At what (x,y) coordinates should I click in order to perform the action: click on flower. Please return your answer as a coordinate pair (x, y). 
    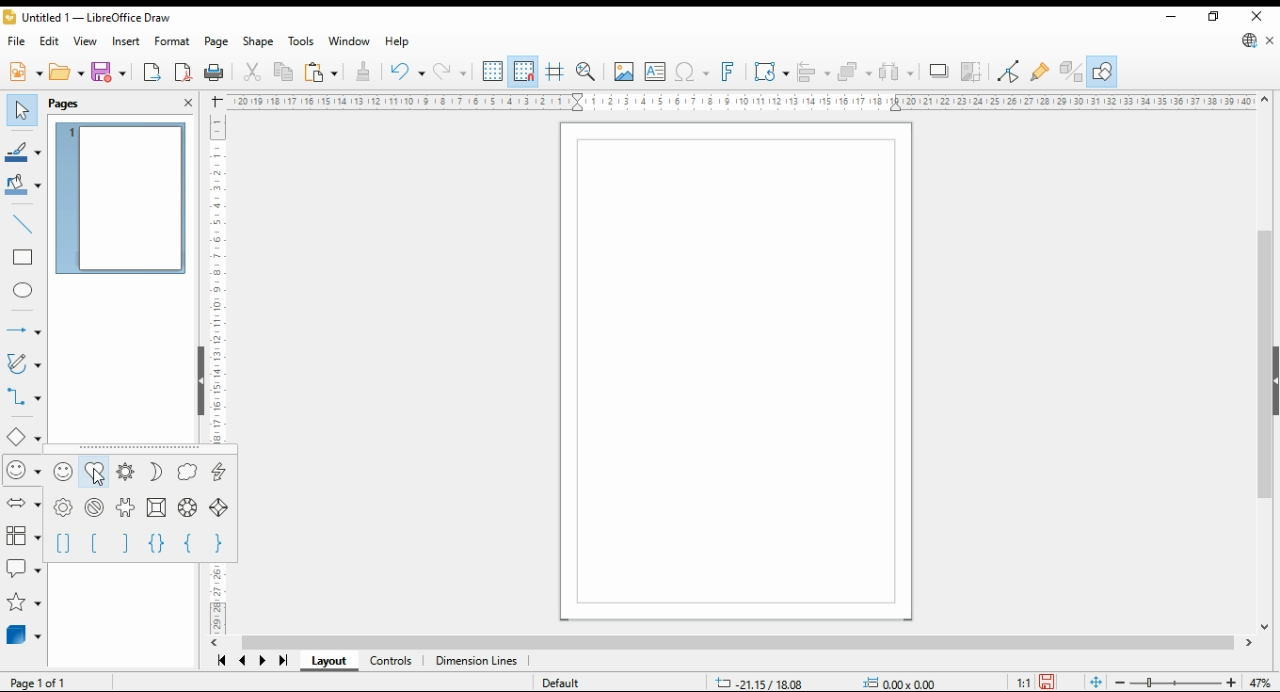
    Looking at the image, I should click on (63, 508).